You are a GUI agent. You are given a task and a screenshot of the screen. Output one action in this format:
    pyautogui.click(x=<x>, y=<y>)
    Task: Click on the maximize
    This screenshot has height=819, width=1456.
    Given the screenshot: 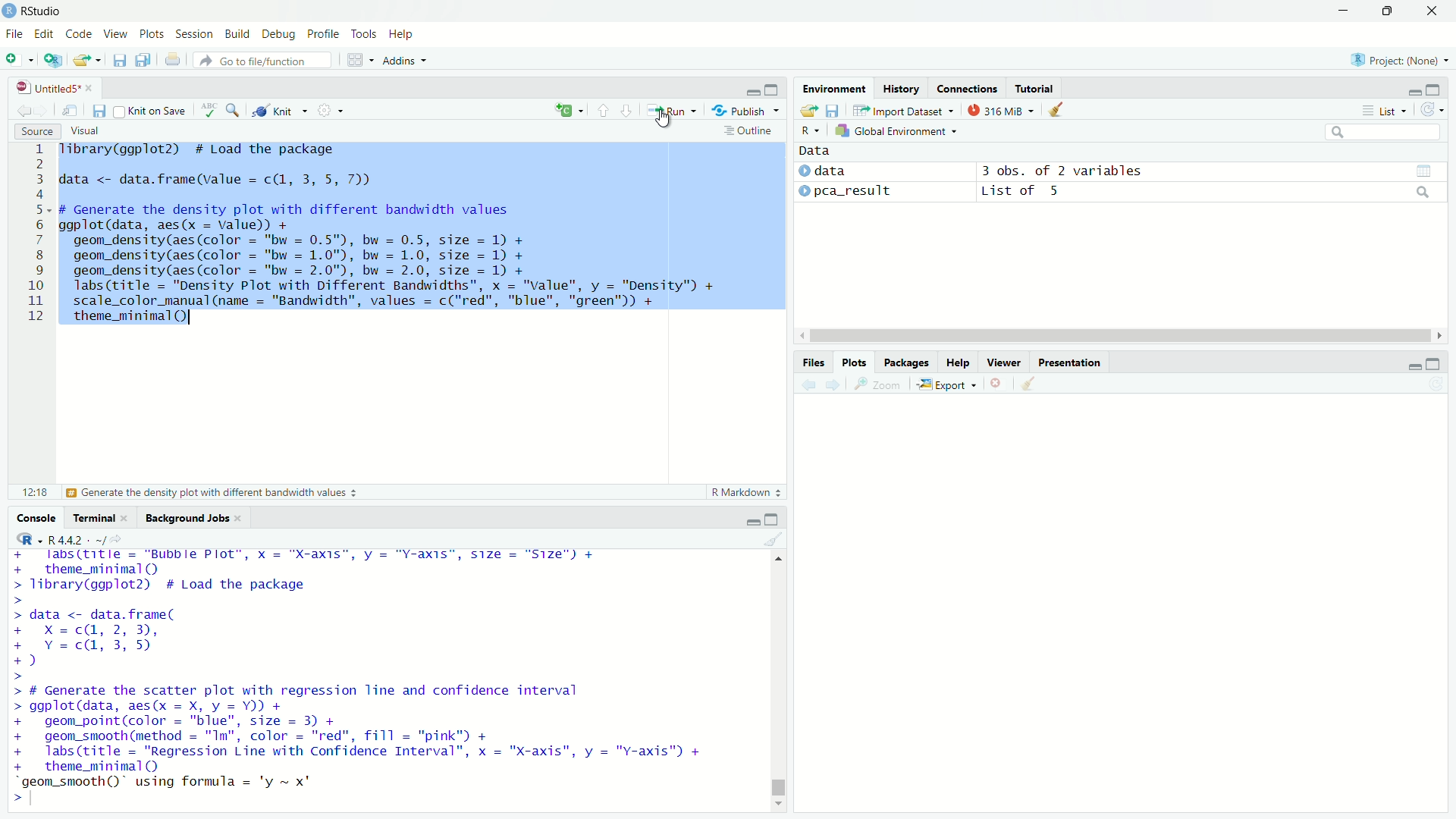 What is the action you would take?
    pyautogui.click(x=770, y=518)
    